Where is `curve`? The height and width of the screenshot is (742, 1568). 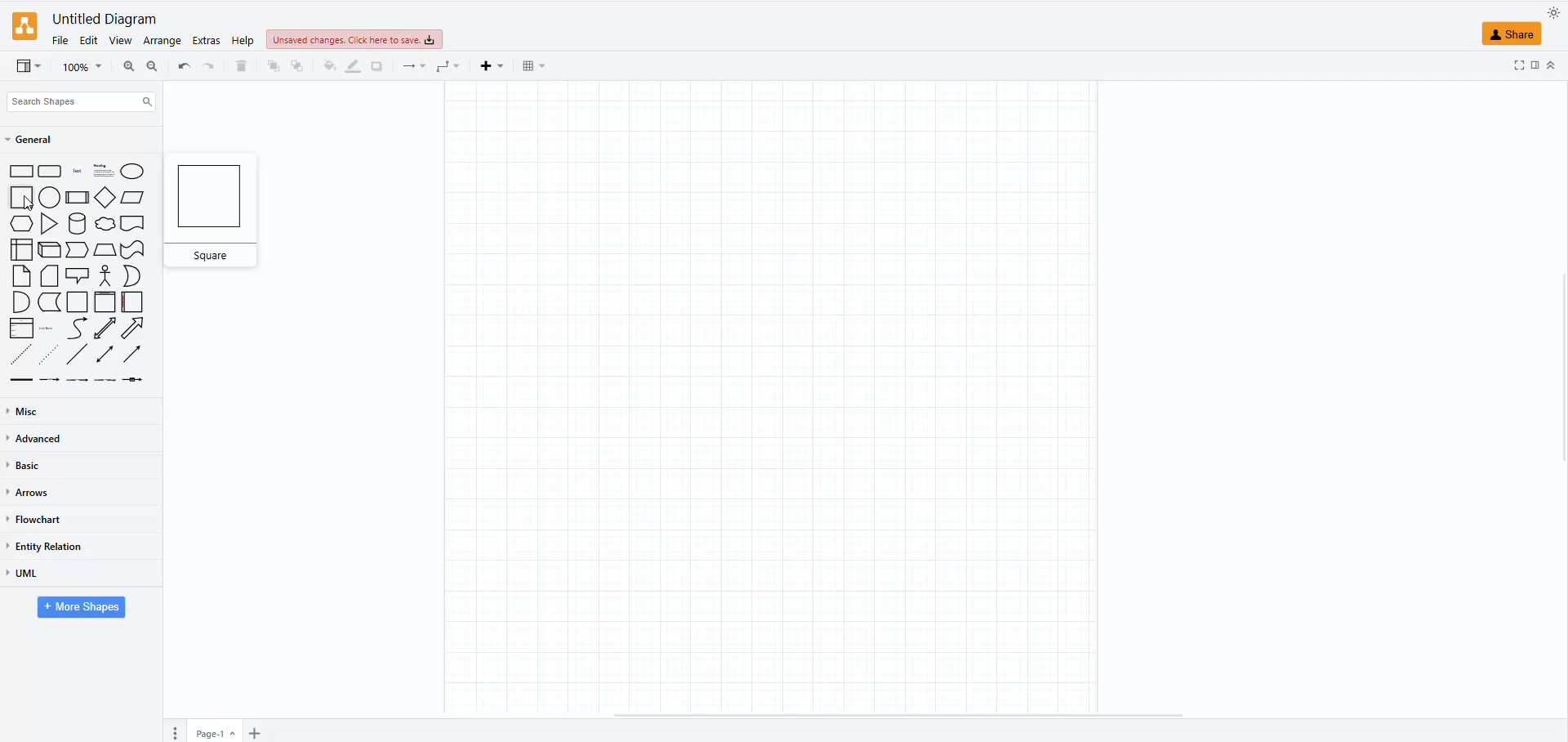 curve is located at coordinates (78, 328).